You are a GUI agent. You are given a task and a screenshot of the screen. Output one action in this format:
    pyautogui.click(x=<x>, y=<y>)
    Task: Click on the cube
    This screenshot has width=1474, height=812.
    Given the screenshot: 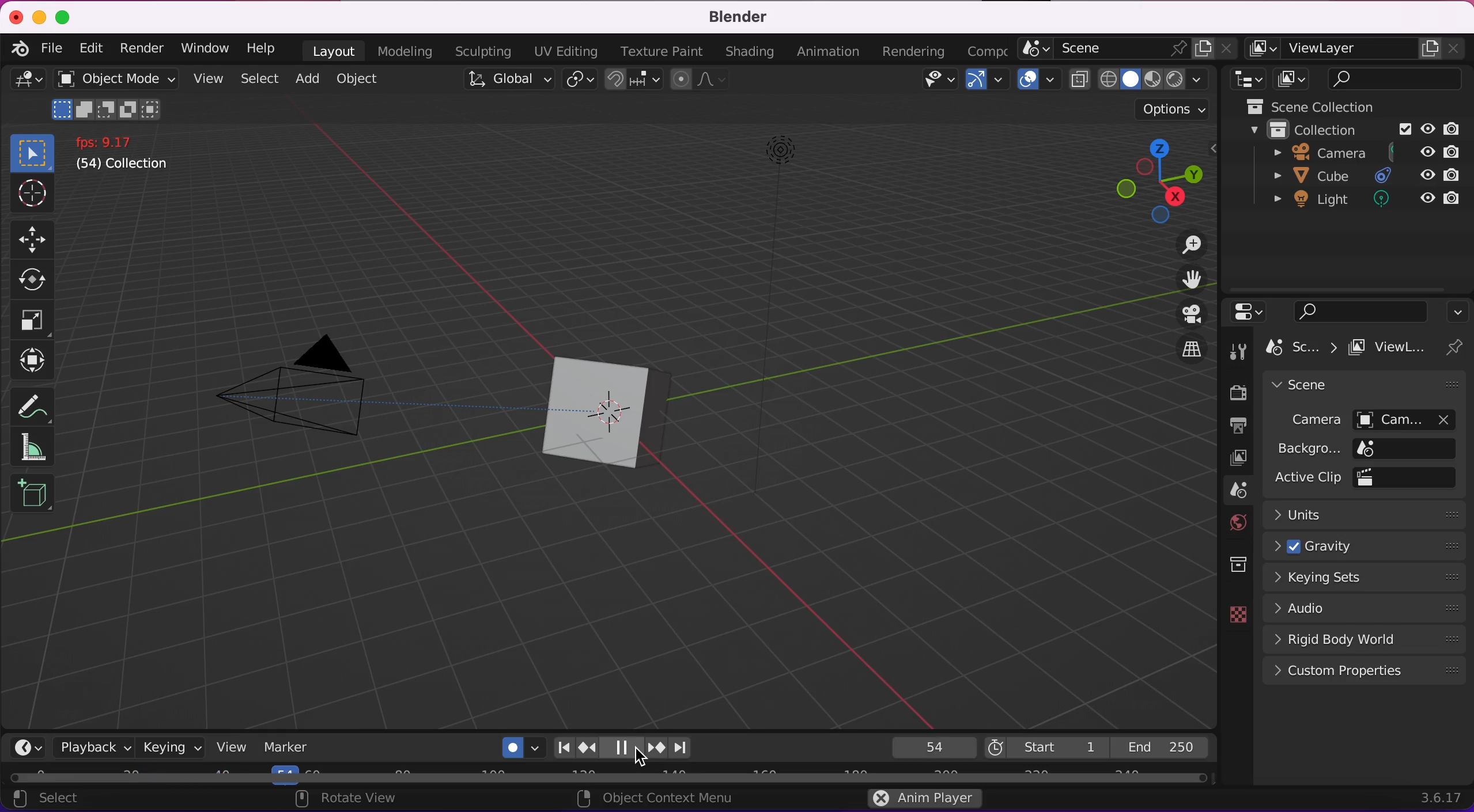 What is the action you would take?
    pyautogui.click(x=651, y=414)
    